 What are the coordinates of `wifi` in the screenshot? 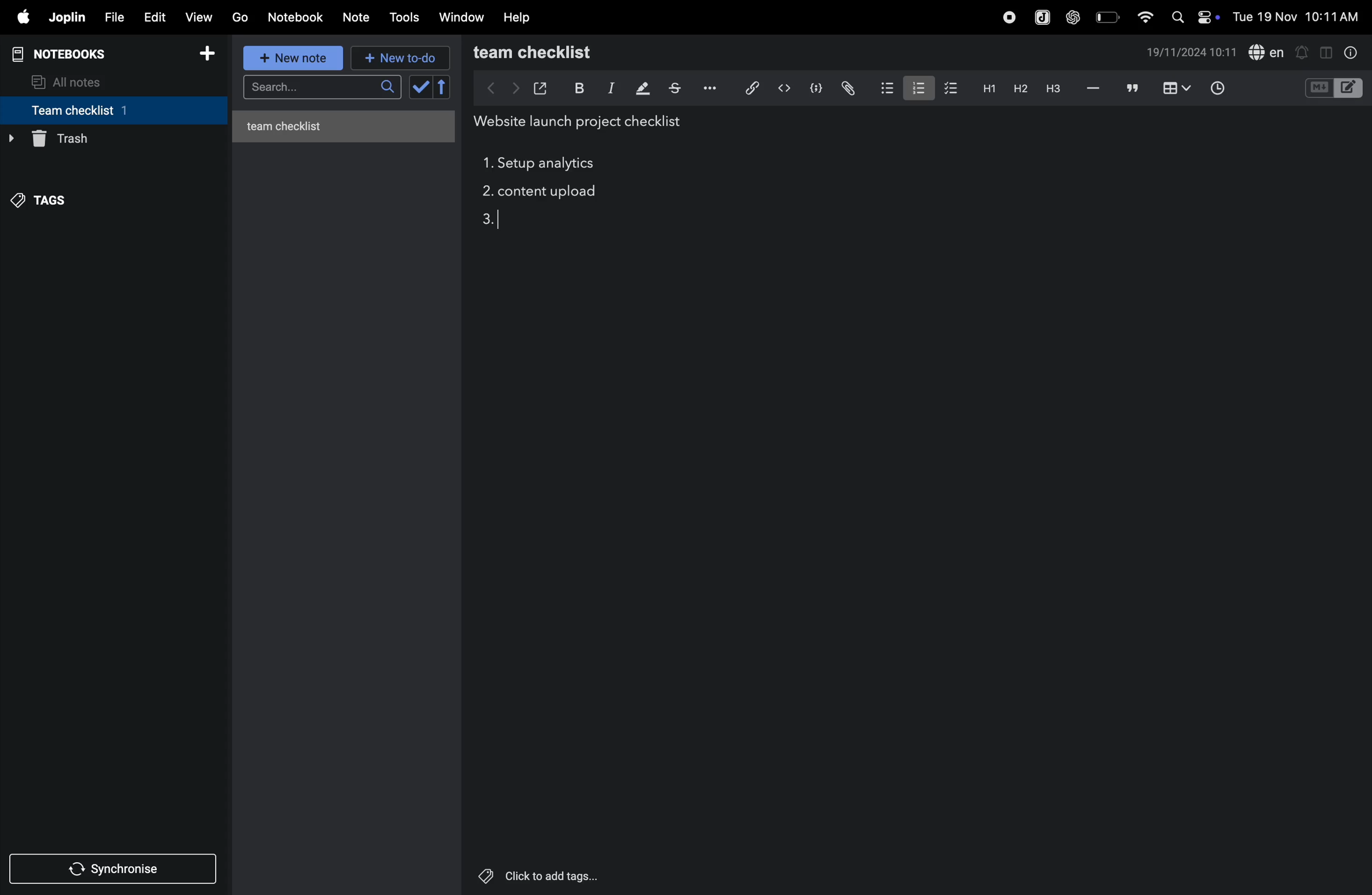 It's located at (1141, 16).